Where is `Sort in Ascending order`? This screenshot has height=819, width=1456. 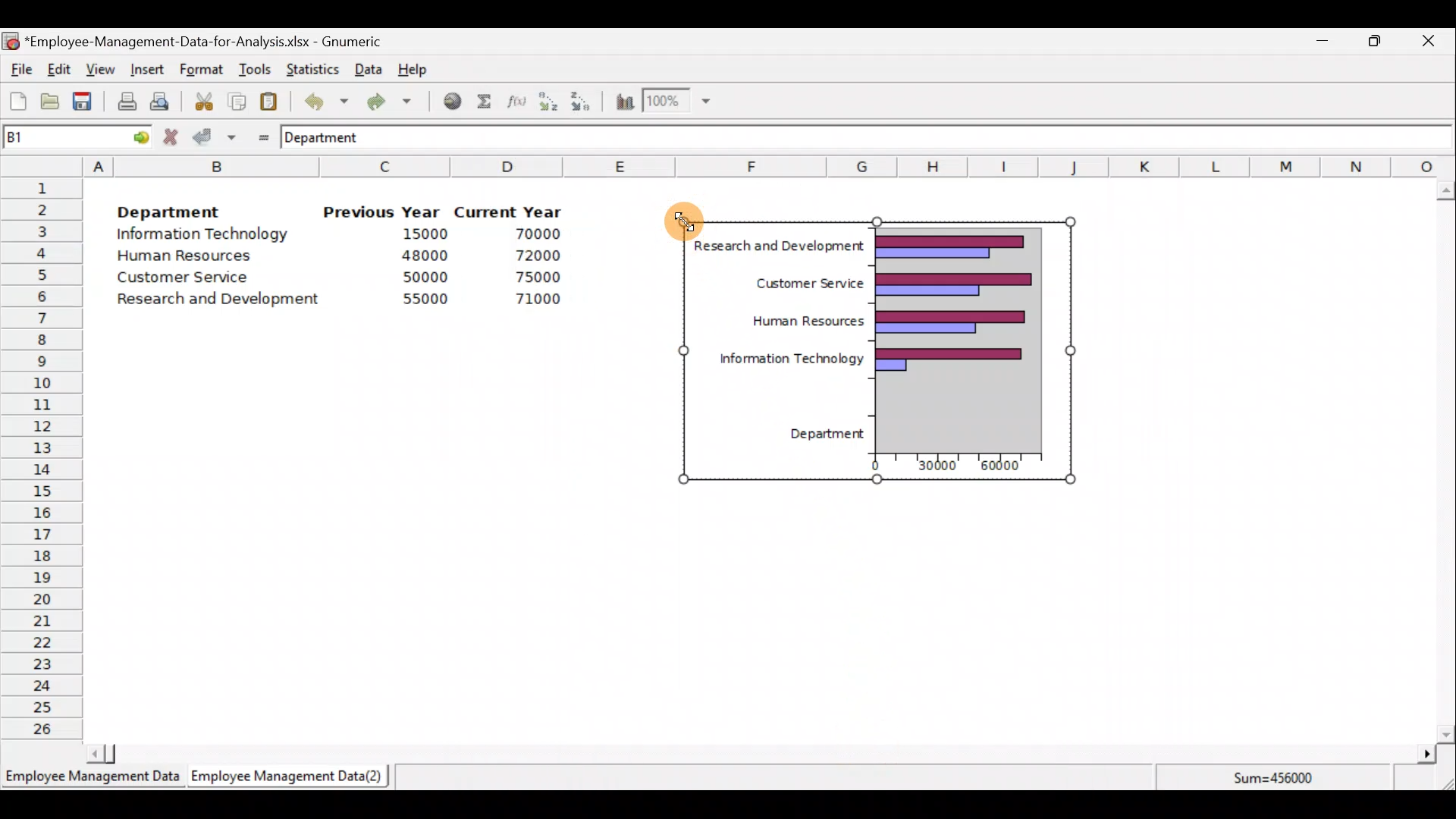
Sort in Ascending order is located at coordinates (548, 101).